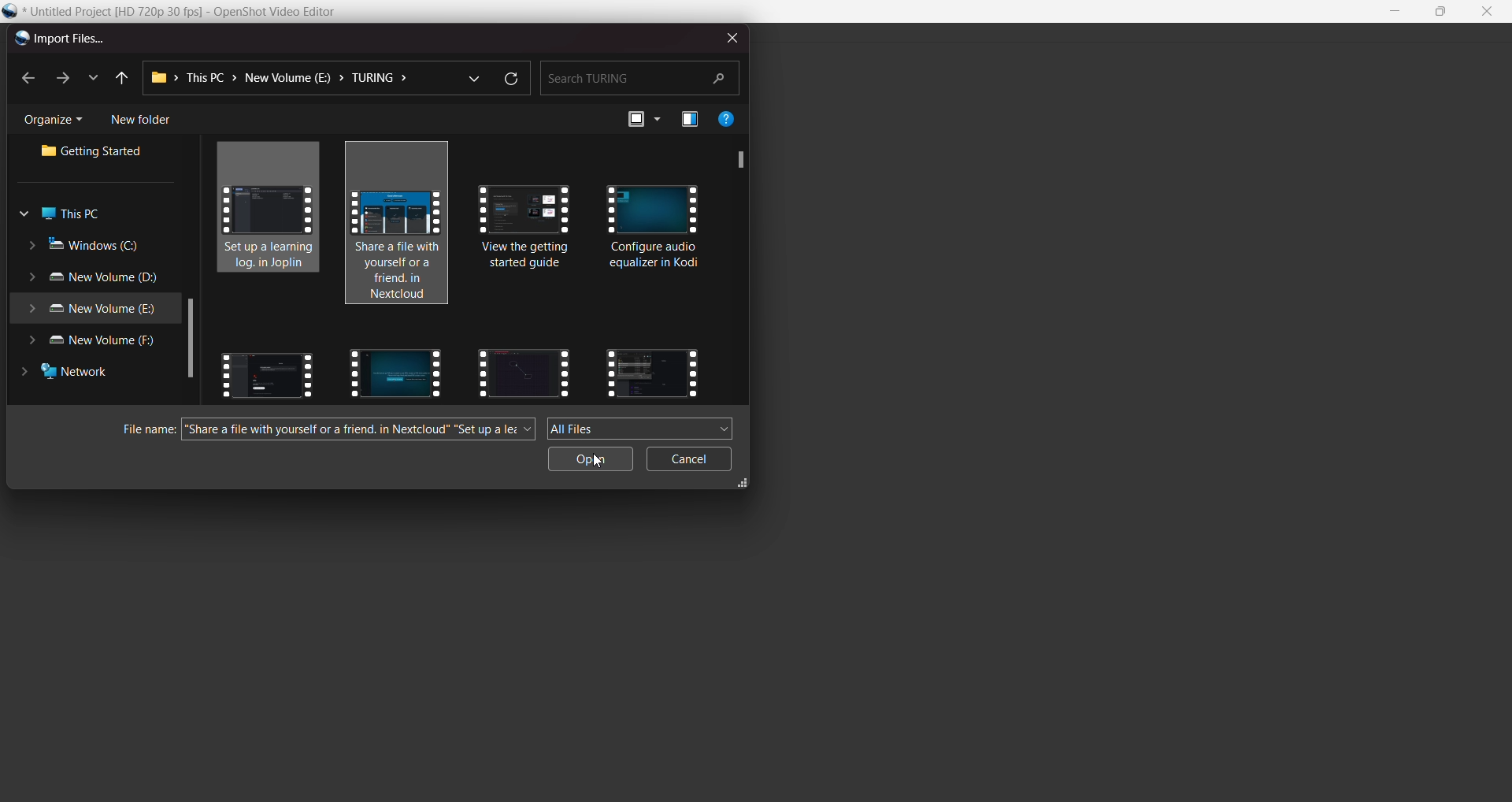 This screenshot has height=802, width=1512. Describe the element at coordinates (61, 78) in the screenshot. I see `next` at that location.